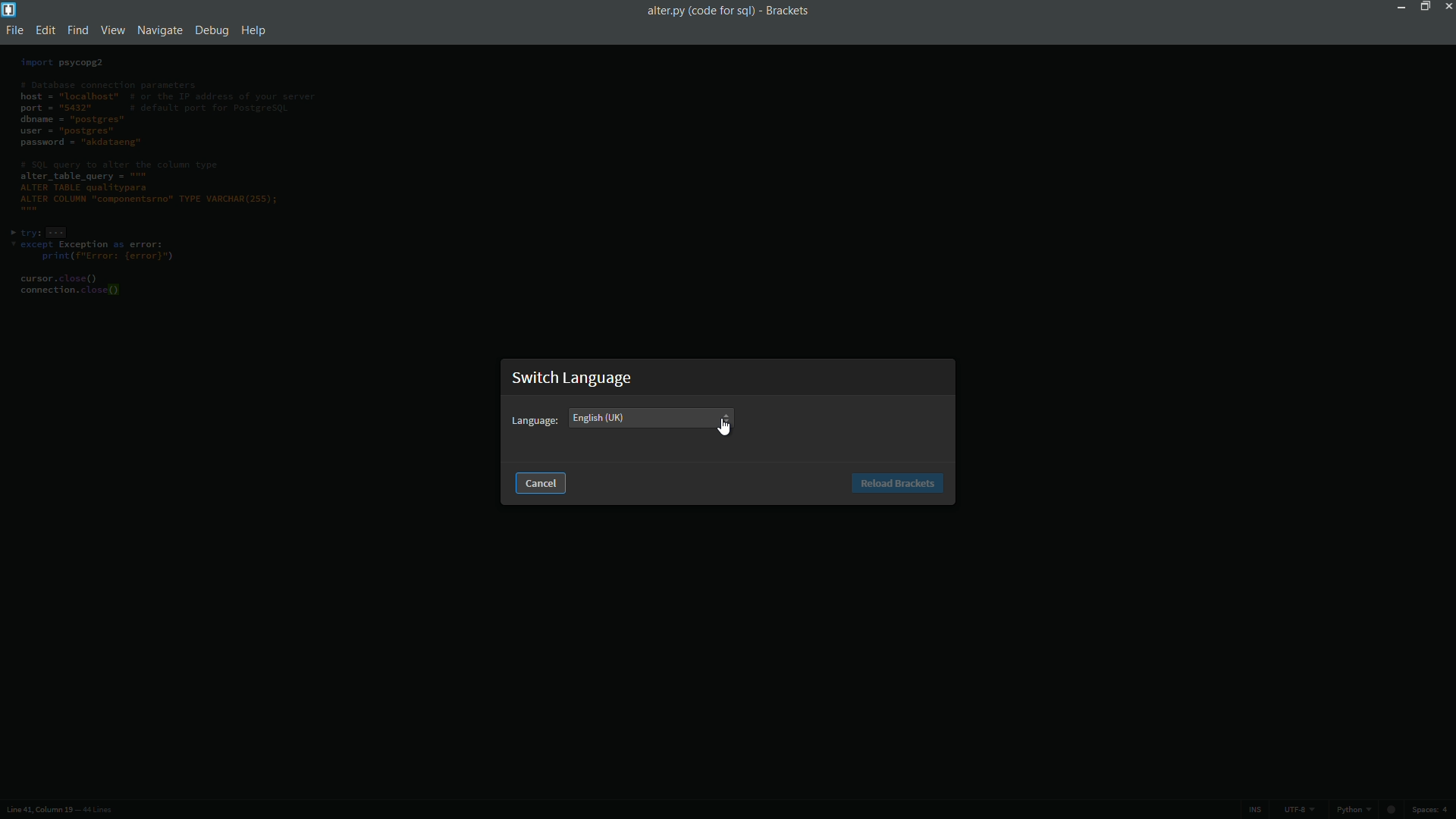  Describe the element at coordinates (45, 30) in the screenshot. I see `edit menu` at that location.